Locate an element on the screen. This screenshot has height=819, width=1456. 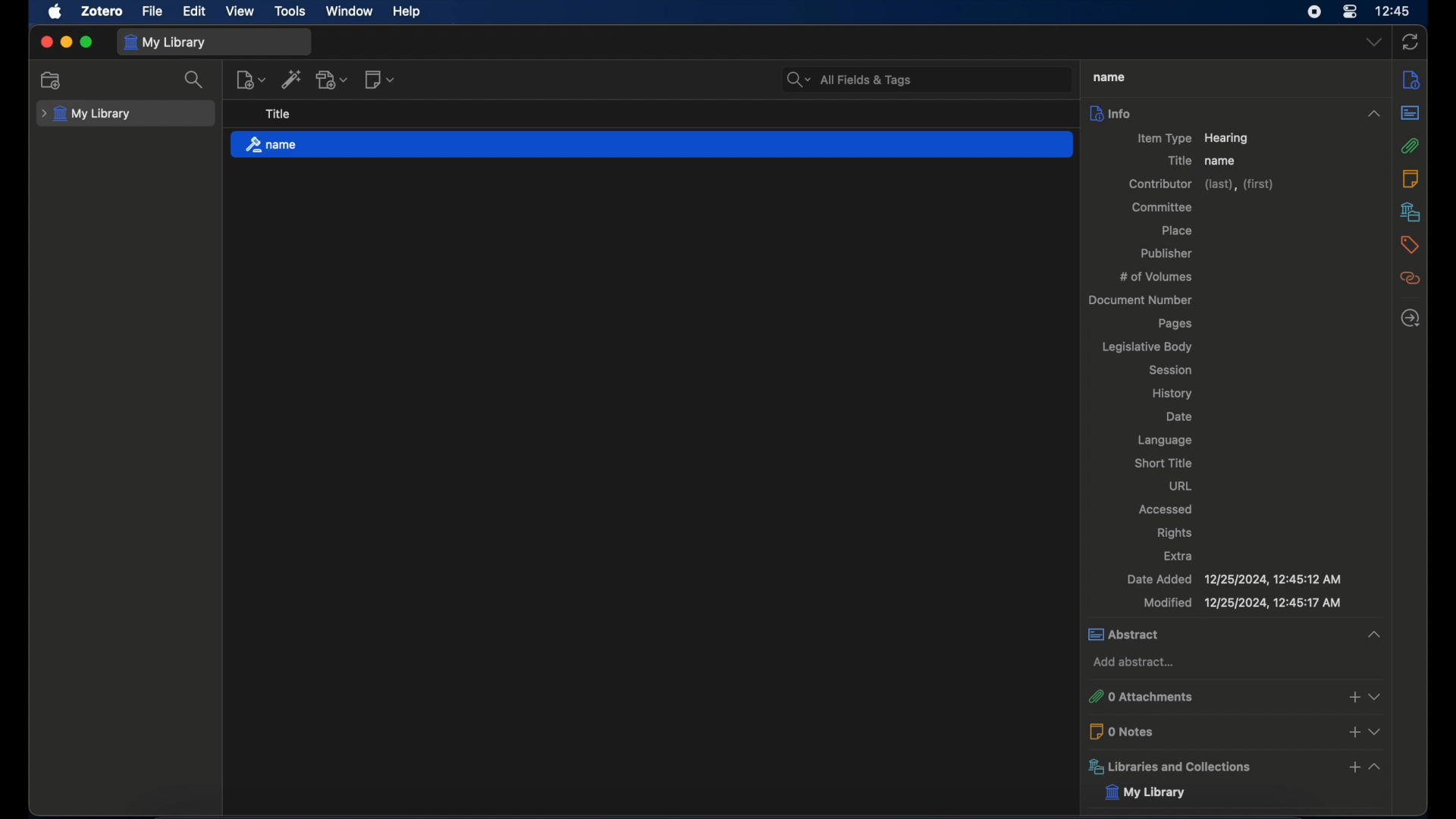
search is located at coordinates (849, 80).